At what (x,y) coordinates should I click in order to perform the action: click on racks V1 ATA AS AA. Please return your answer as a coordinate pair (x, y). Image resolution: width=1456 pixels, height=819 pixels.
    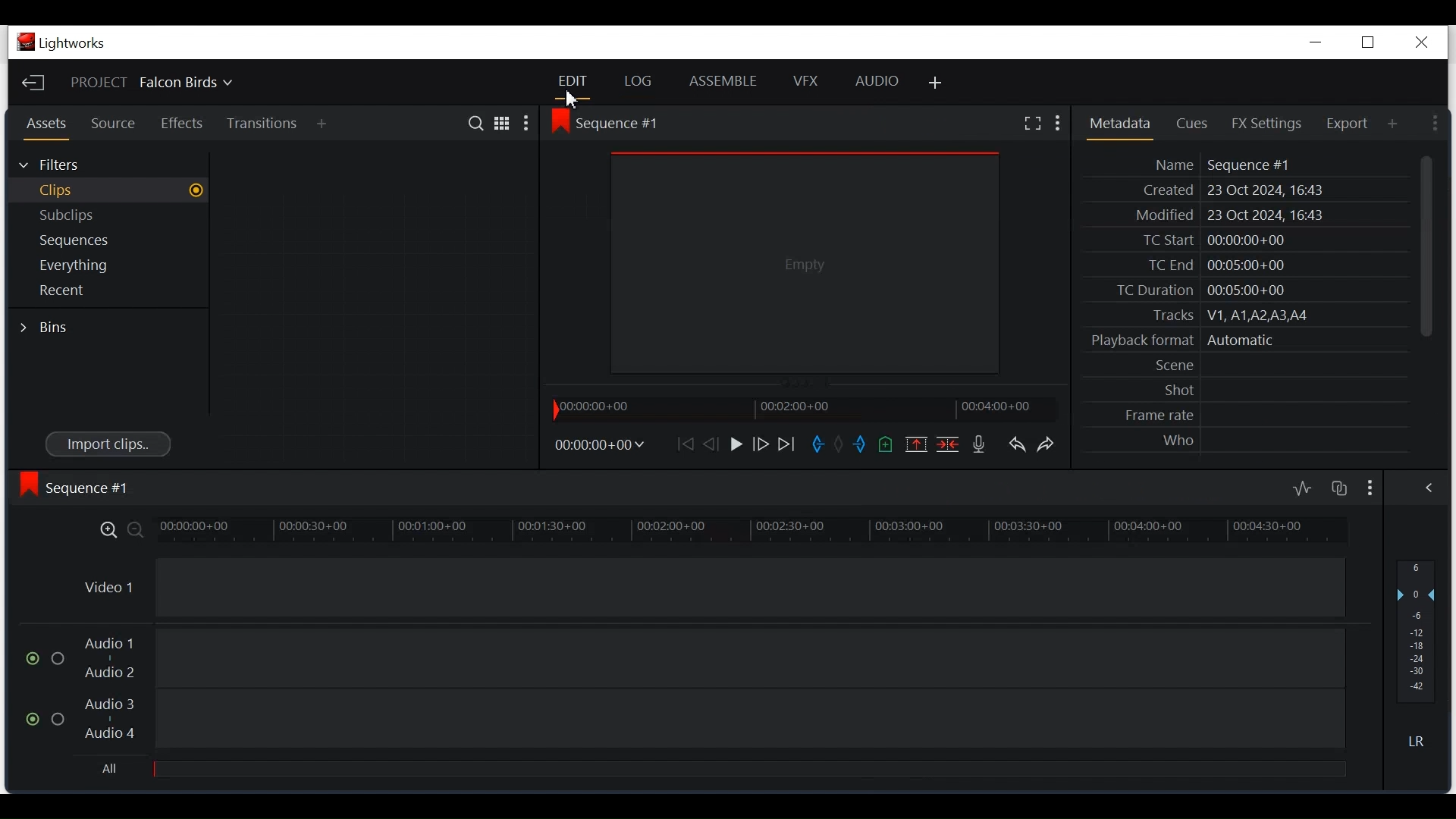
    Looking at the image, I should click on (1228, 316).